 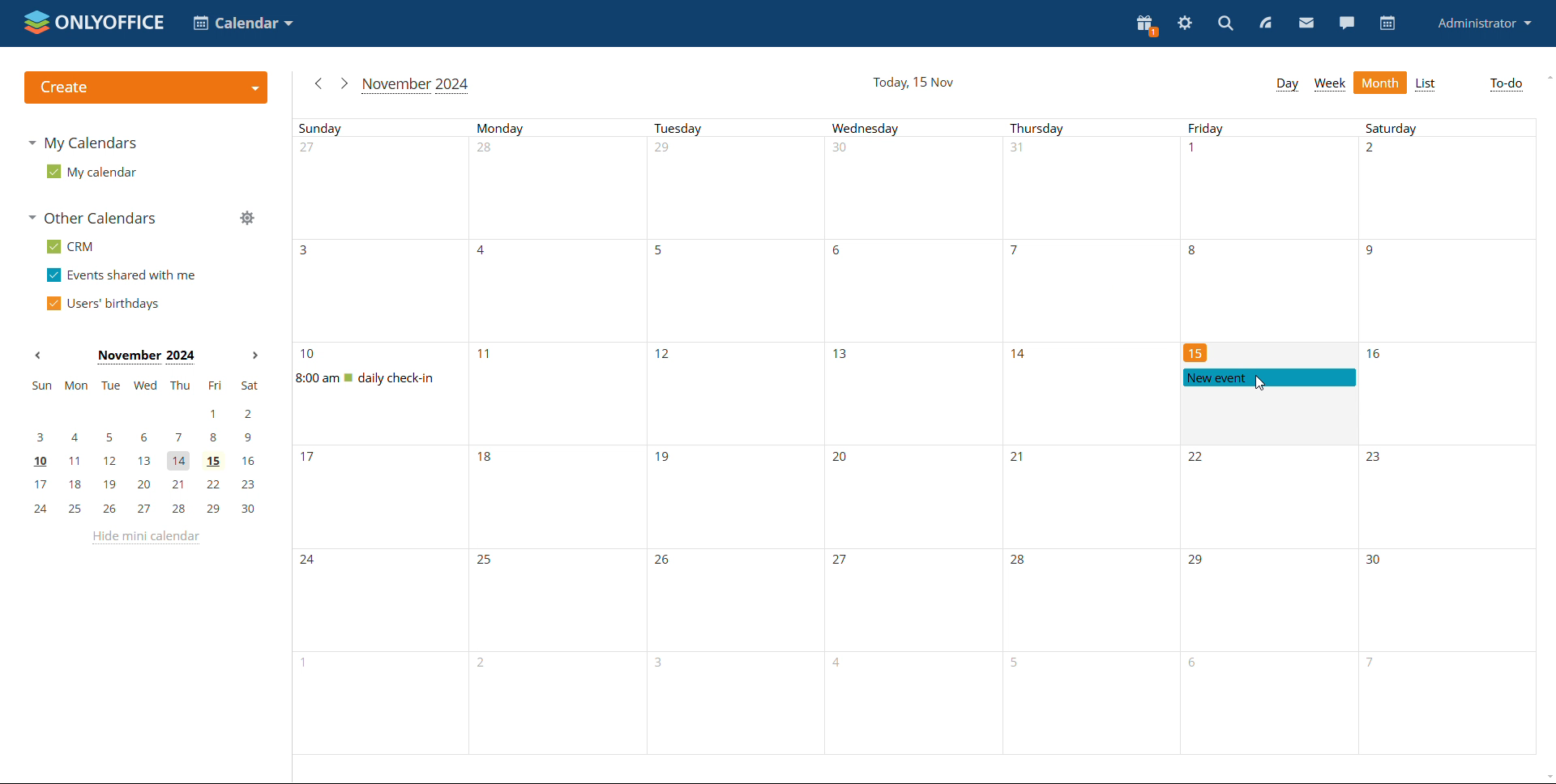 I want to click on Number, so click(x=840, y=150).